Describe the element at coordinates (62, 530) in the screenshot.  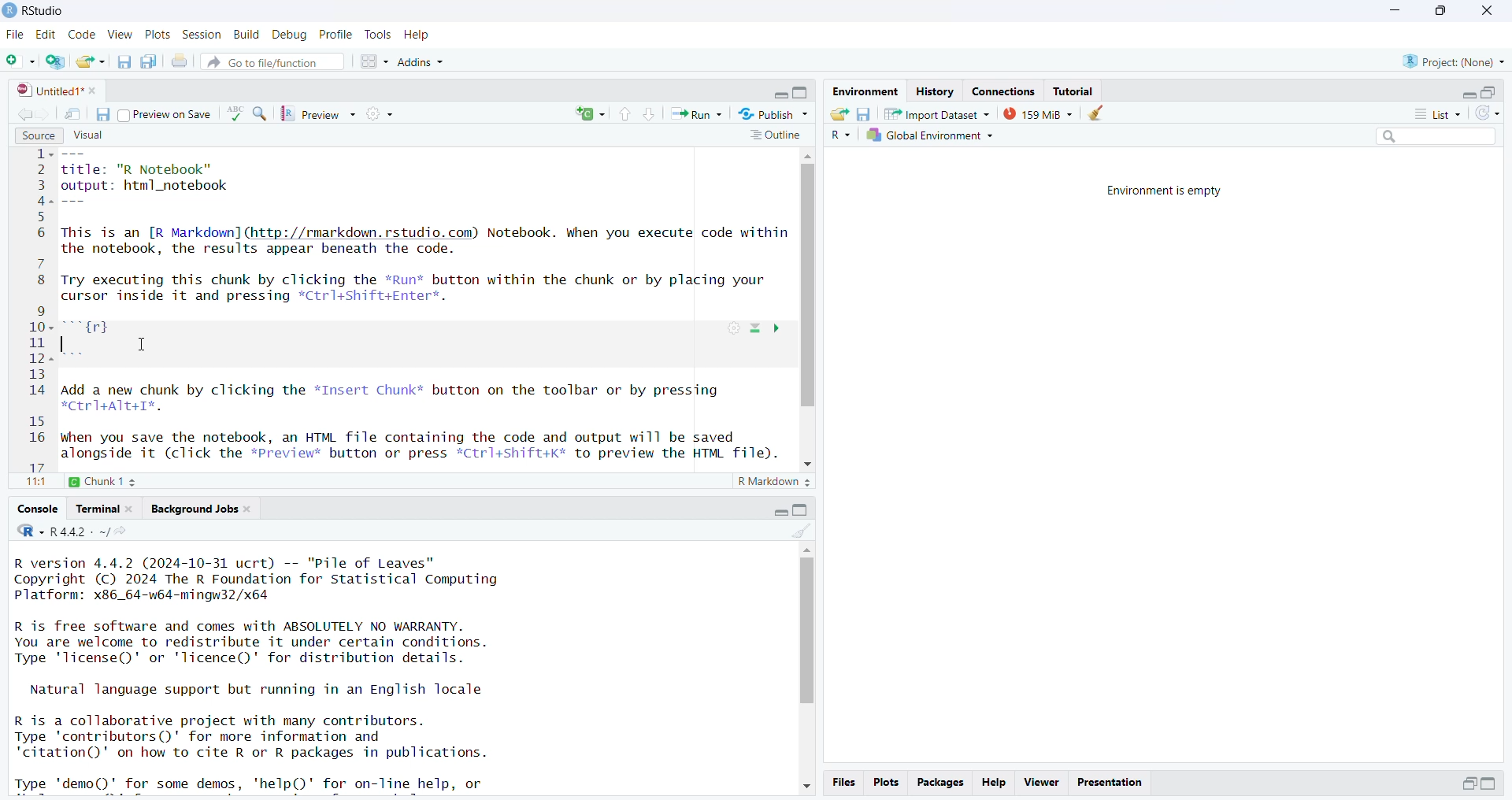
I see `R.4.4.2` at that location.